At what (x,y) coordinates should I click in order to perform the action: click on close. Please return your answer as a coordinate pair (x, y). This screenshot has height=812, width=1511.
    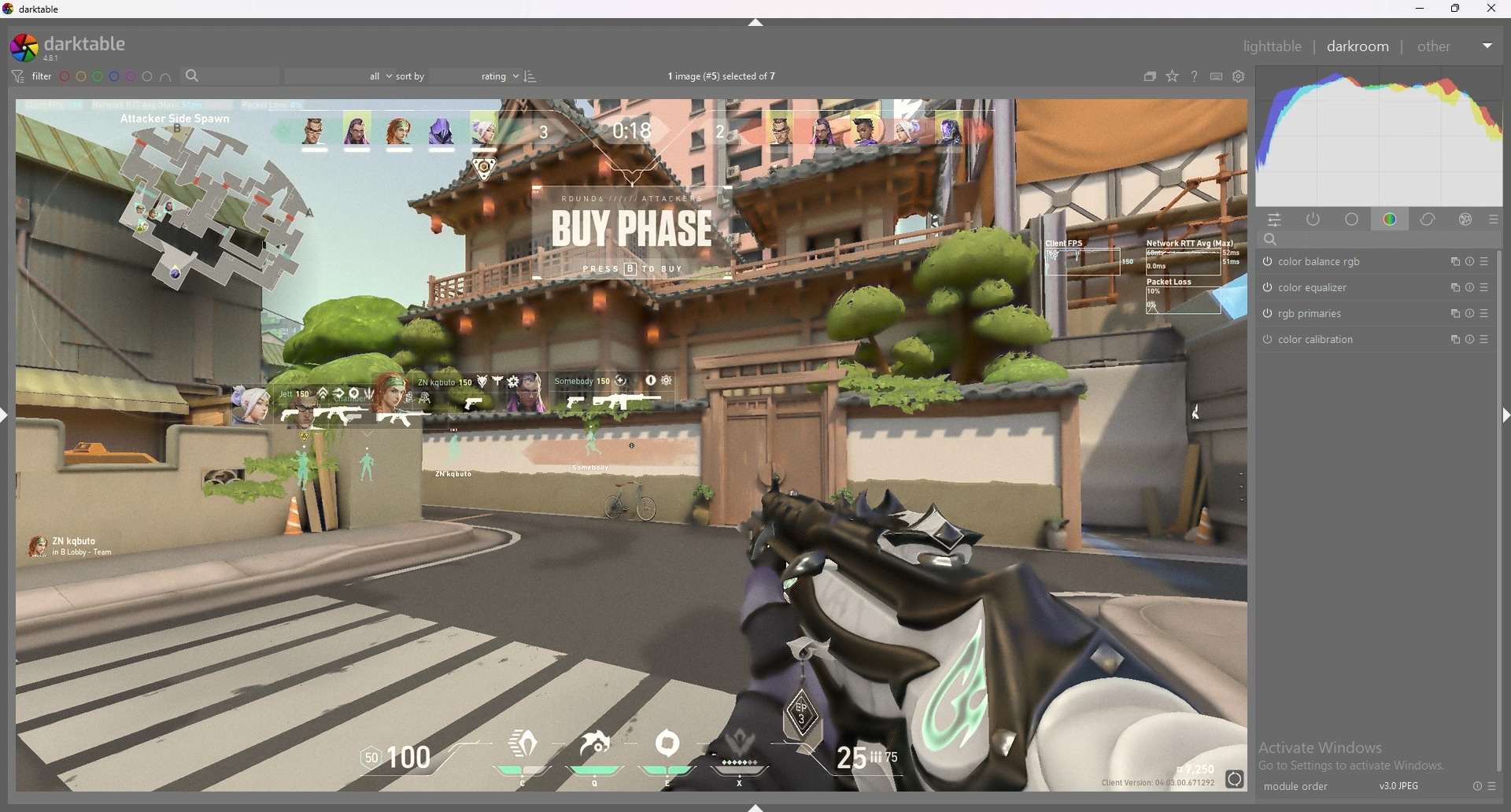
    Looking at the image, I should click on (1491, 9).